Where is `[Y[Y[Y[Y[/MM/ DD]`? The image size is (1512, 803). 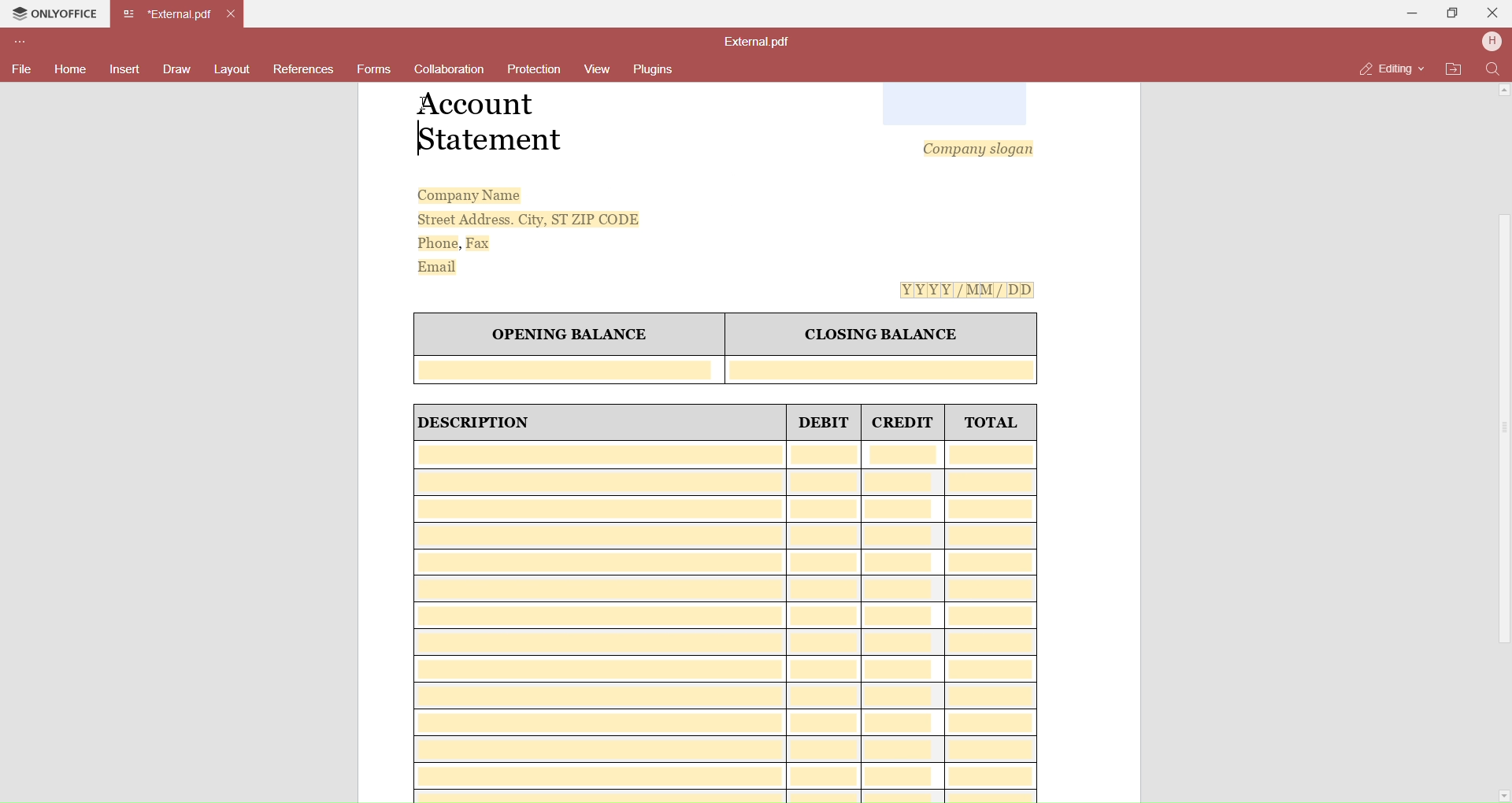 [Y[Y[Y[Y[/MM/ DD] is located at coordinates (970, 290).